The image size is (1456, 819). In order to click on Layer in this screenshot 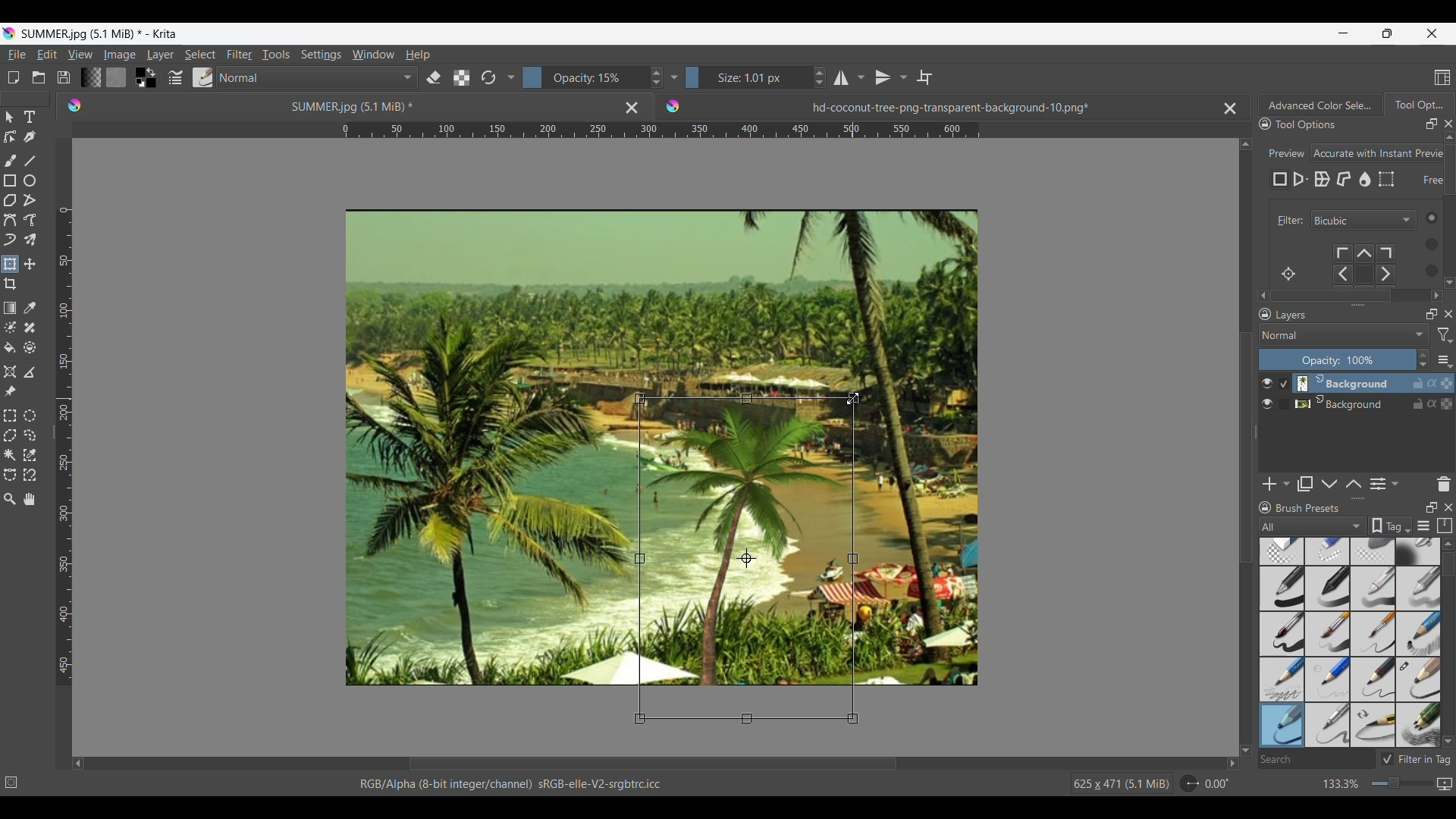, I will do `click(160, 55)`.